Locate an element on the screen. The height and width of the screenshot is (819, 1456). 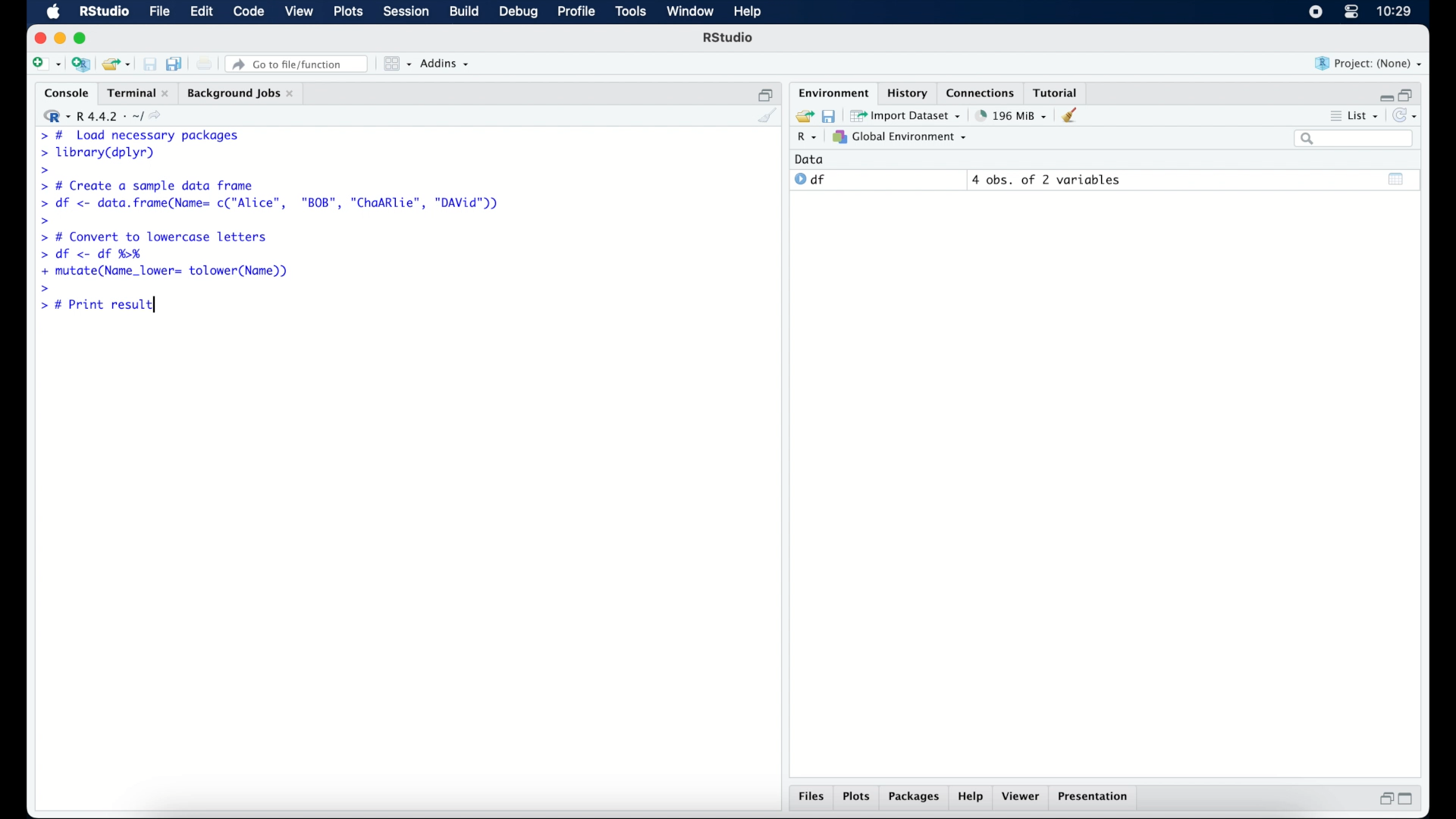
> df <- df %H is located at coordinates (96, 256).